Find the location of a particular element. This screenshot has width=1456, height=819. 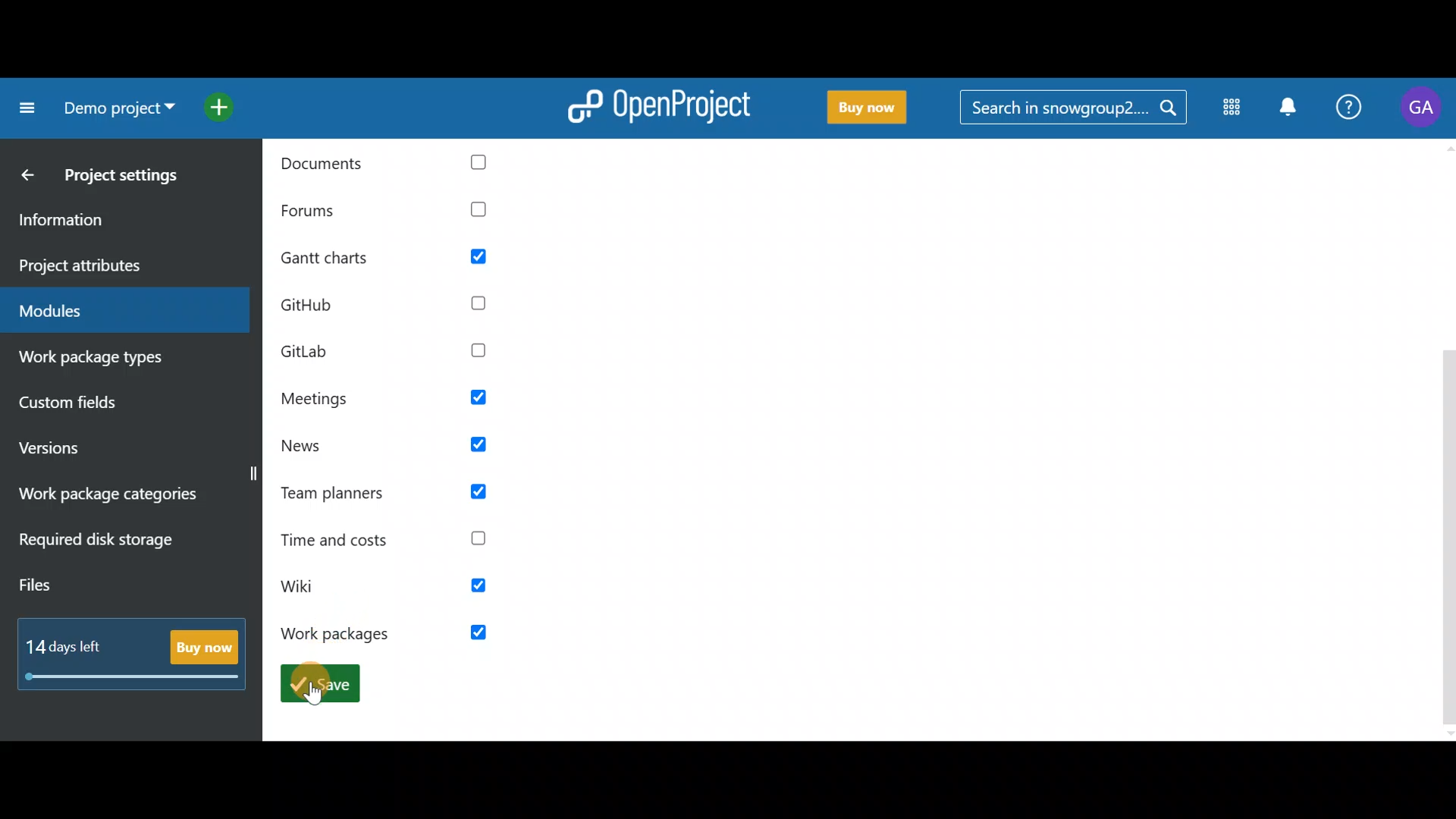

Versions is located at coordinates (78, 450).